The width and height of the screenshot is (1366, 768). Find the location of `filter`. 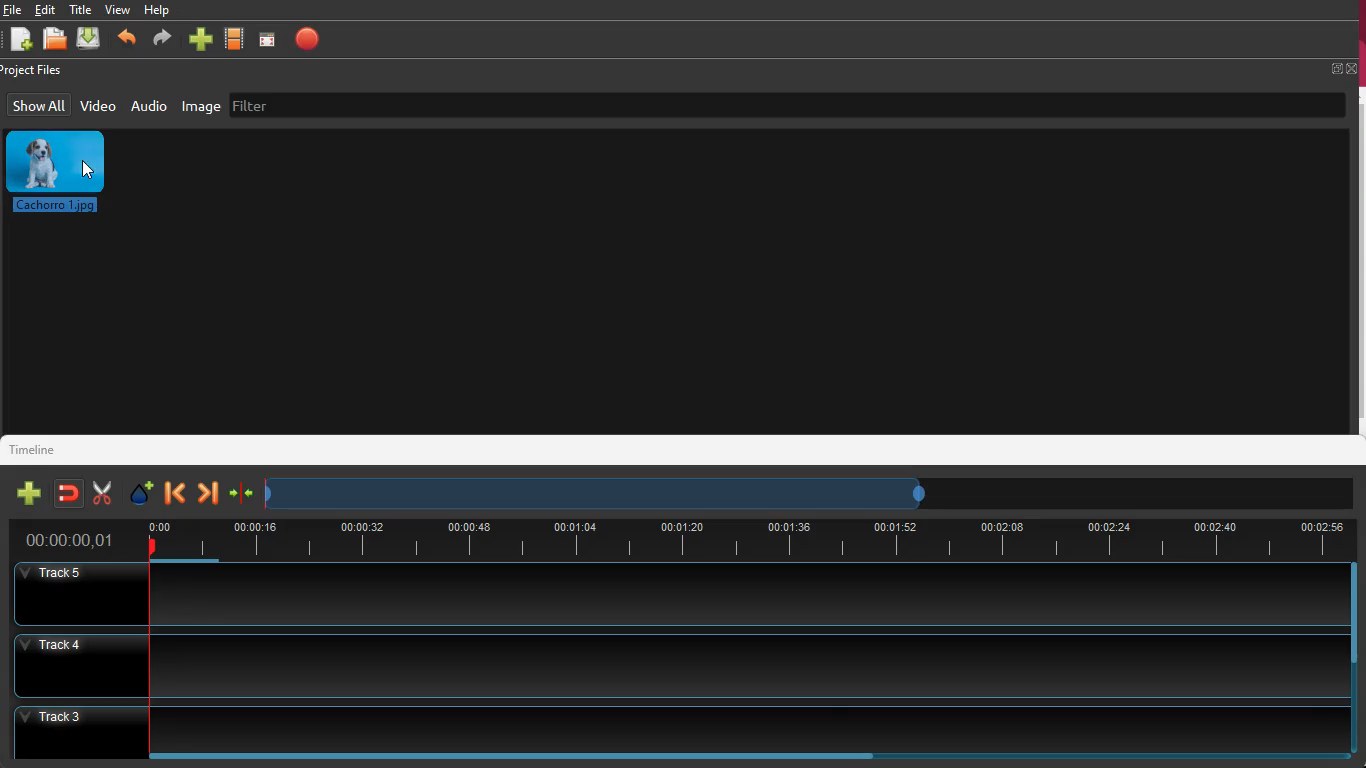

filter is located at coordinates (274, 108).